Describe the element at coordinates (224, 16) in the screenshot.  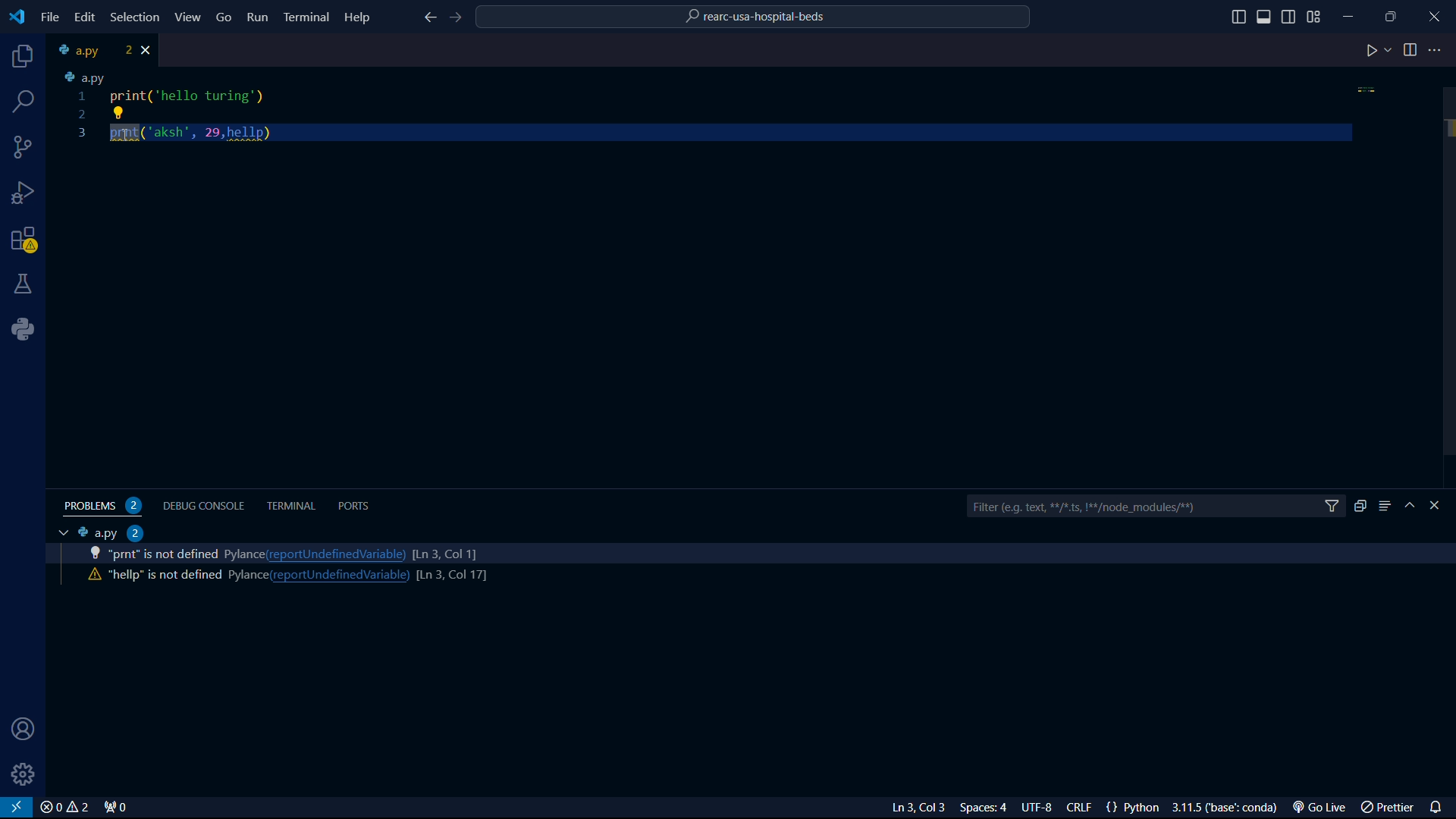
I see `Go` at that location.